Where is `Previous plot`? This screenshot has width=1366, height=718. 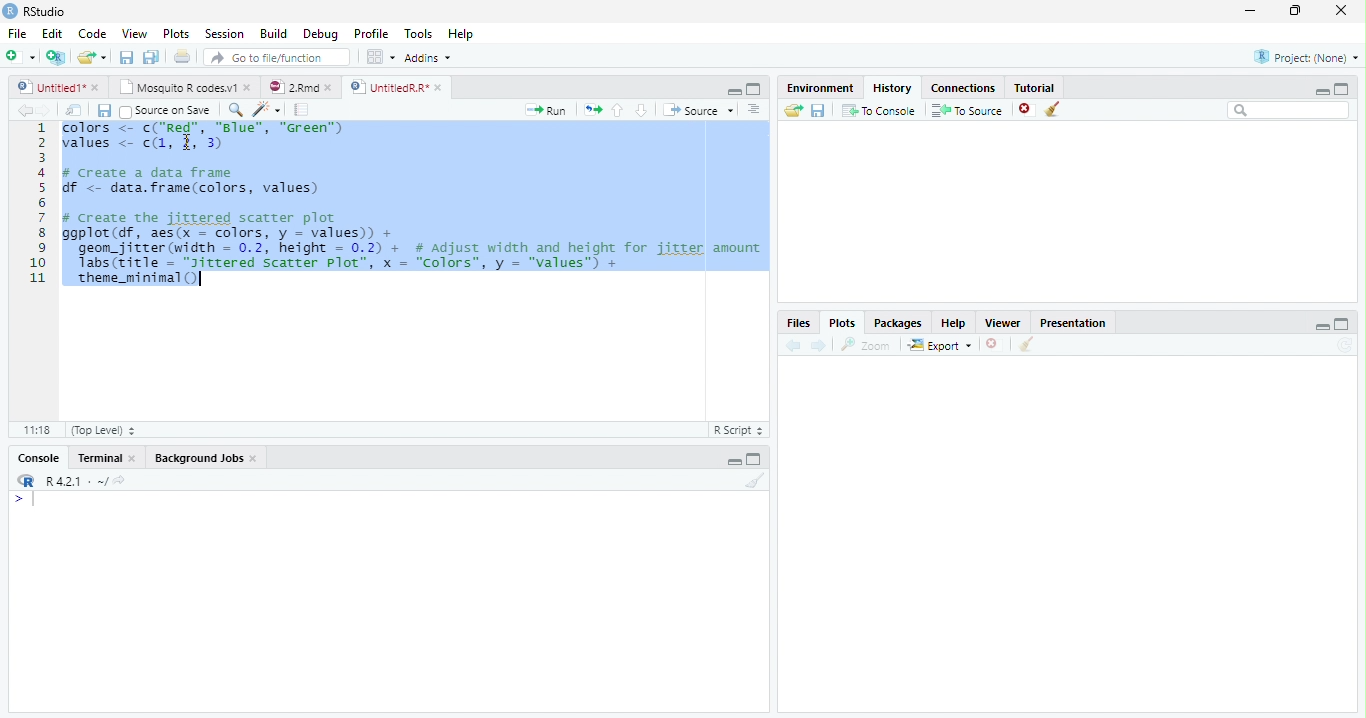
Previous plot is located at coordinates (794, 345).